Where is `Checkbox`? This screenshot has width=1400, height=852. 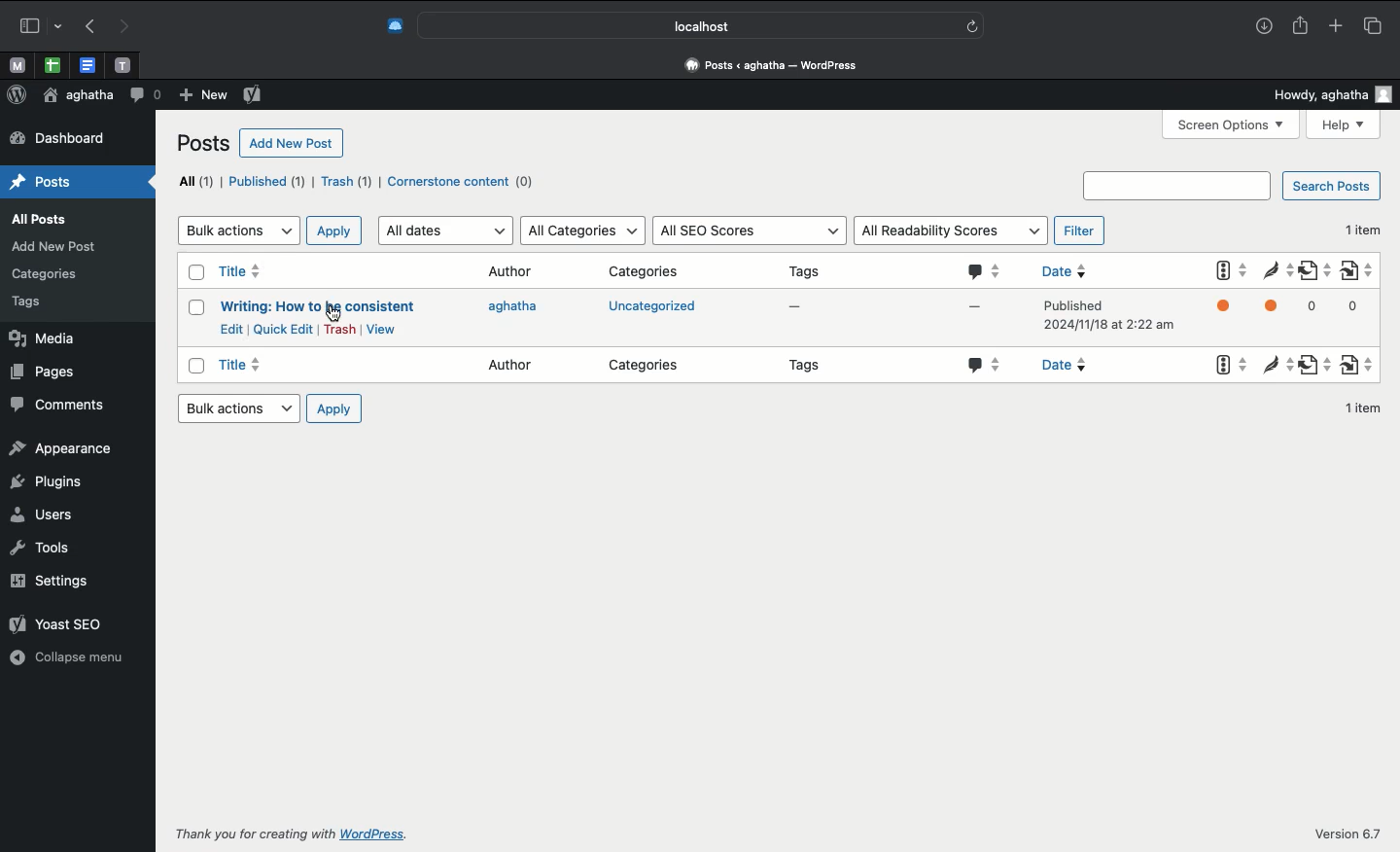 Checkbox is located at coordinates (197, 308).